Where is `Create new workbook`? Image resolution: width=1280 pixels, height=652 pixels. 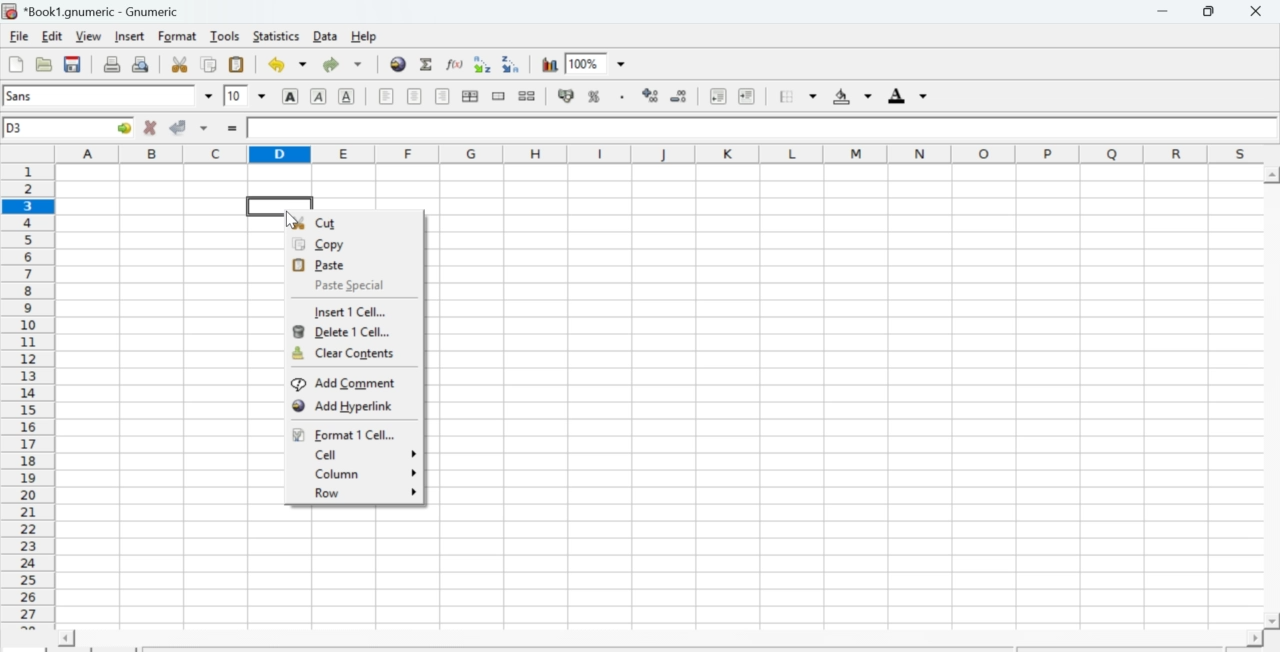
Create new workbook is located at coordinates (13, 65).